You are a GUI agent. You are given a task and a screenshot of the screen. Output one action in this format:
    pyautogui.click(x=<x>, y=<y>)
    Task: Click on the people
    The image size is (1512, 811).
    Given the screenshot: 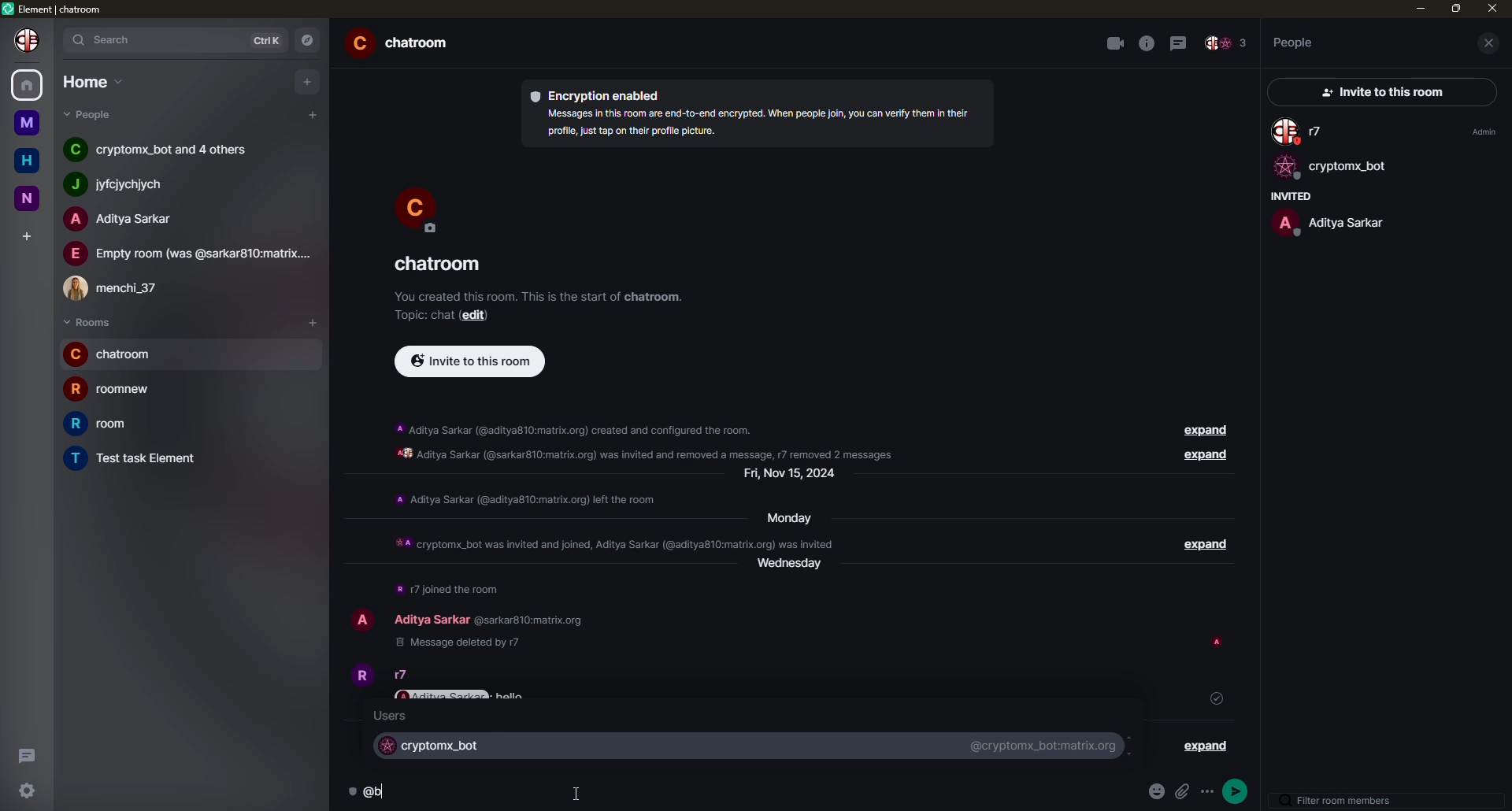 What is the action you would take?
    pyautogui.click(x=119, y=219)
    